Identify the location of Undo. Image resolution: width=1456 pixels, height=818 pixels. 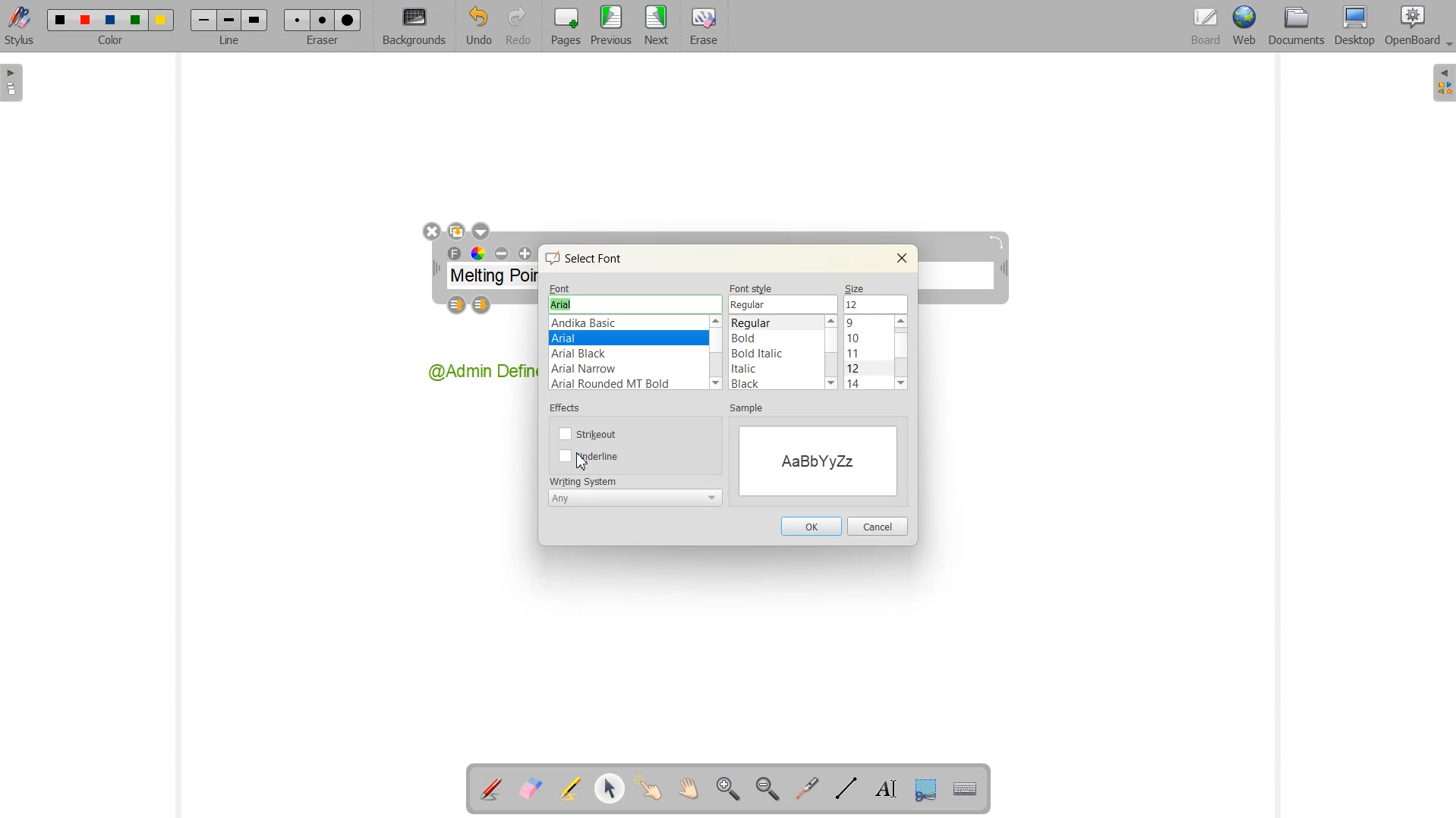
(478, 26).